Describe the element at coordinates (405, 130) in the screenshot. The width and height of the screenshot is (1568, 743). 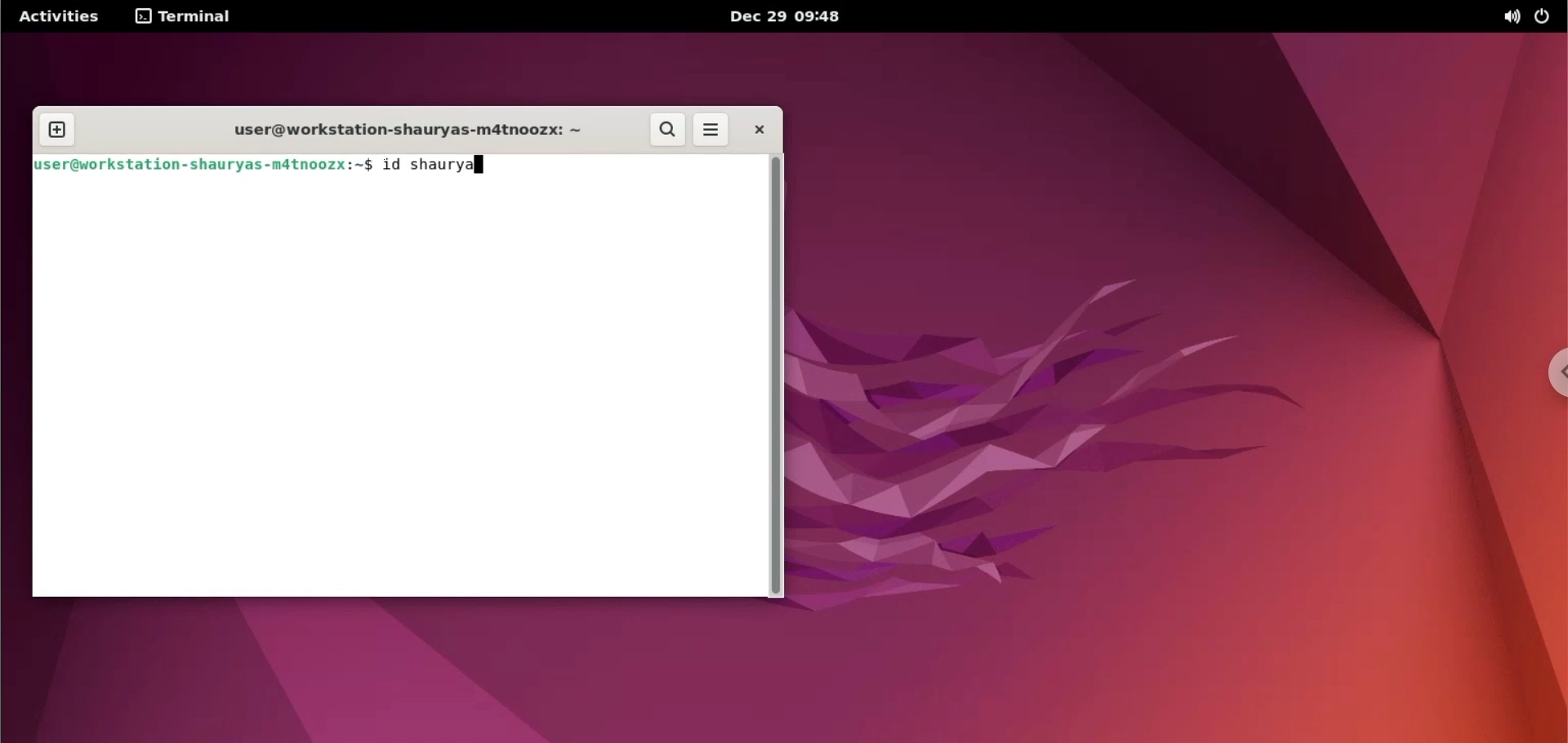
I see `workstation name` at that location.